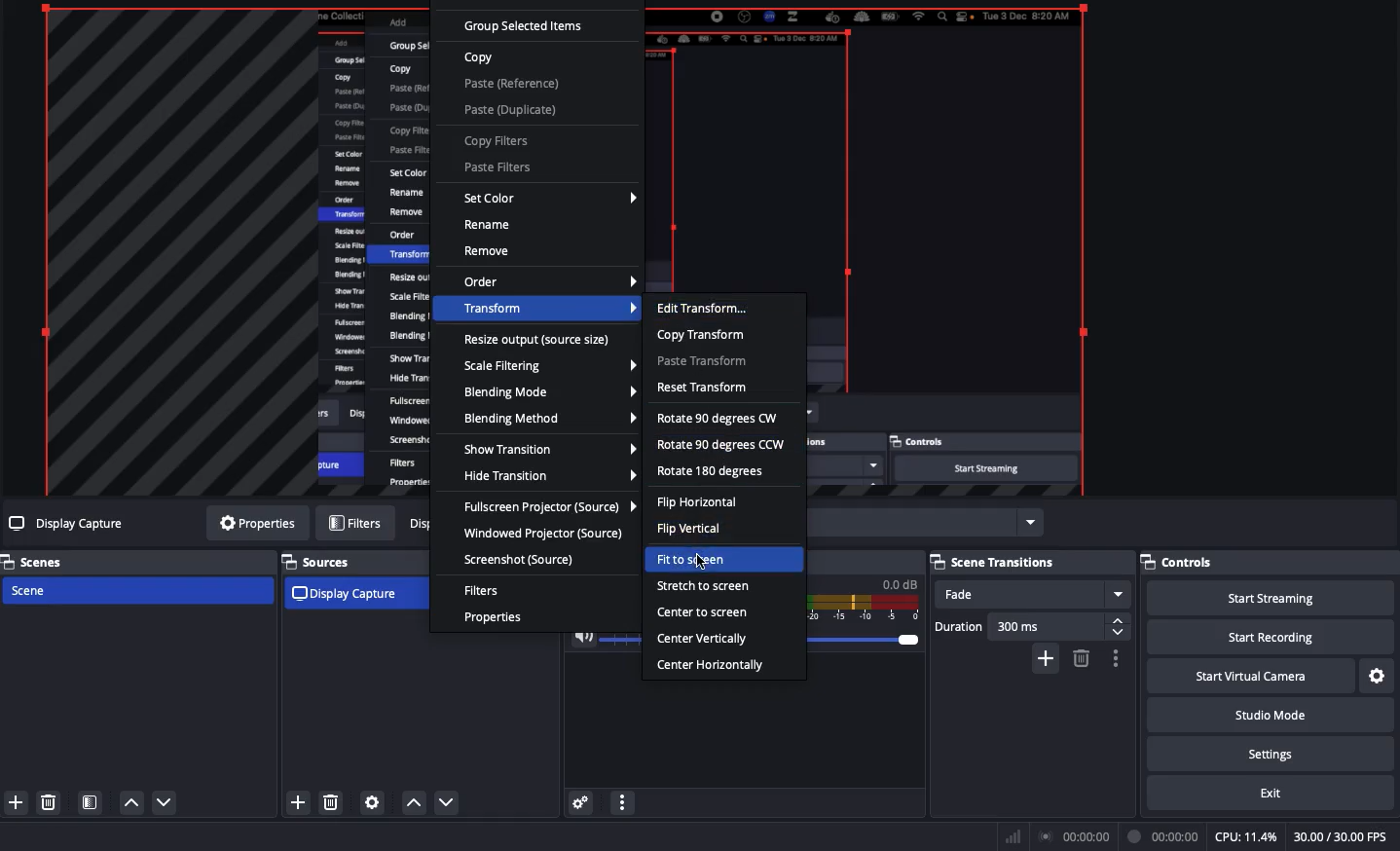 The height and width of the screenshot is (851, 1400). What do you see at coordinates (526, 28) in the screenshot?
I see `Group selected items` at bounding box center [526, 28].